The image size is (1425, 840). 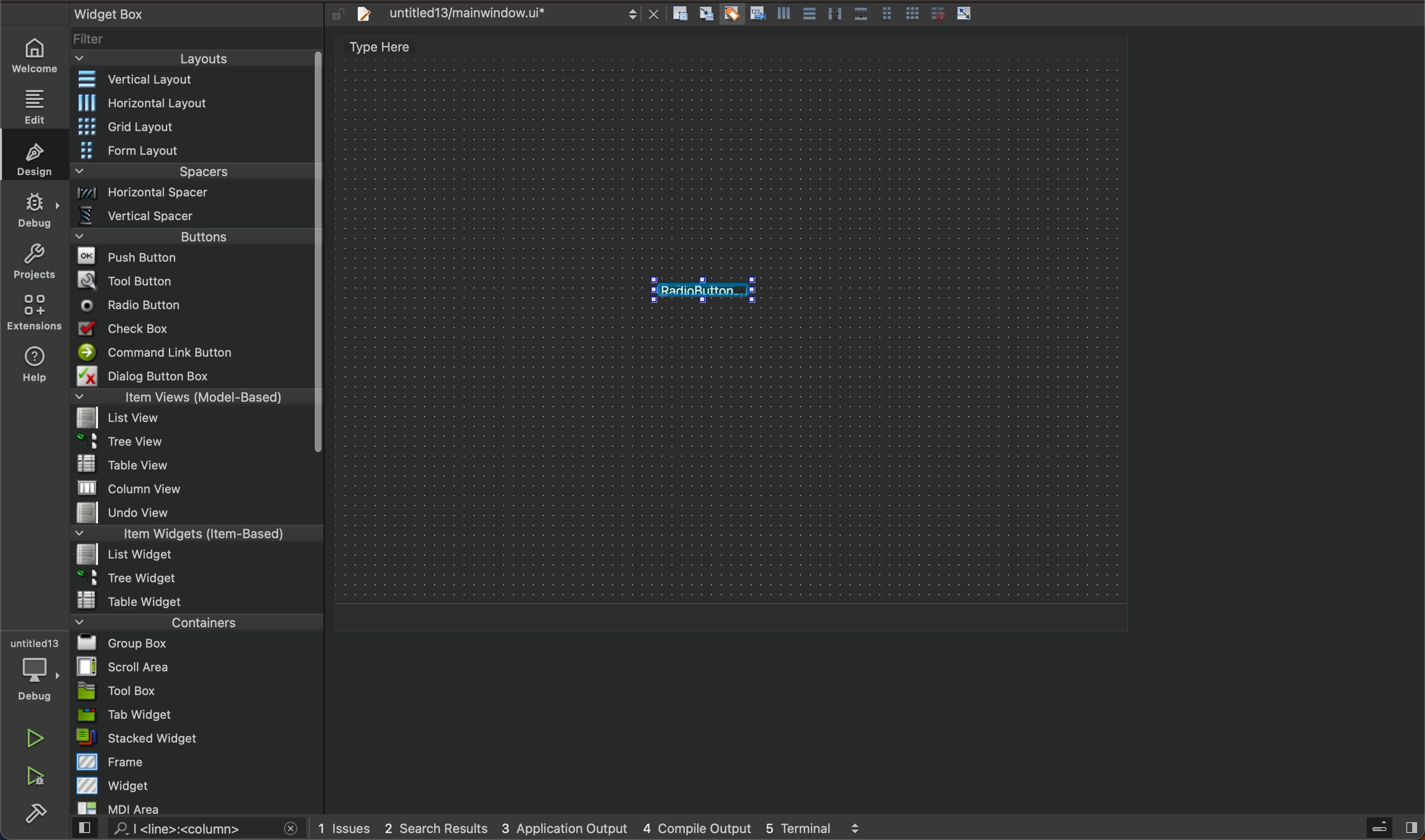 What do you see at coordinates (197, 465) in the screenshot?
I see `table view` at bounding box center [197, 465].